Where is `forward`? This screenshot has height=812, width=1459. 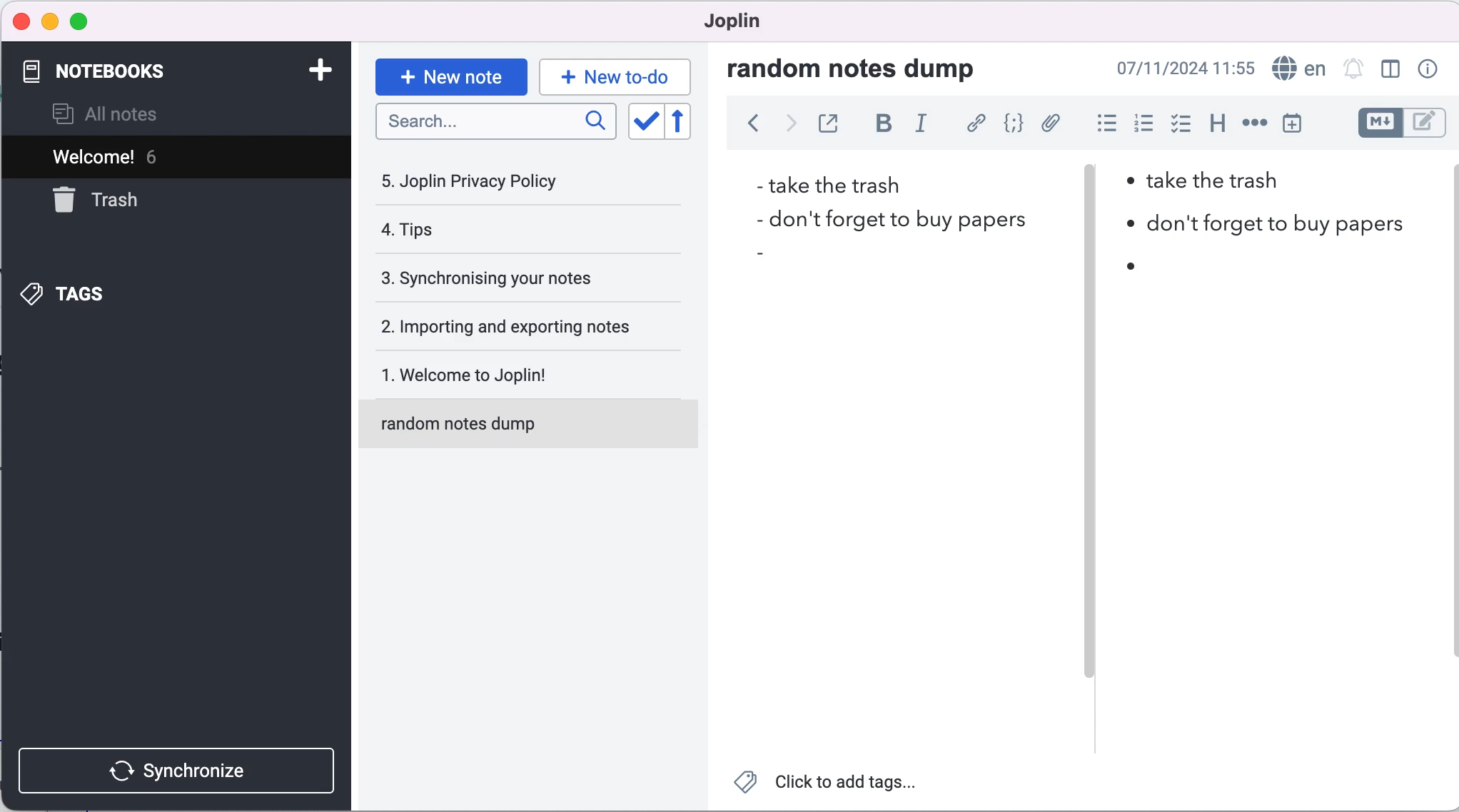
forward is located at coordinates (786, 127).